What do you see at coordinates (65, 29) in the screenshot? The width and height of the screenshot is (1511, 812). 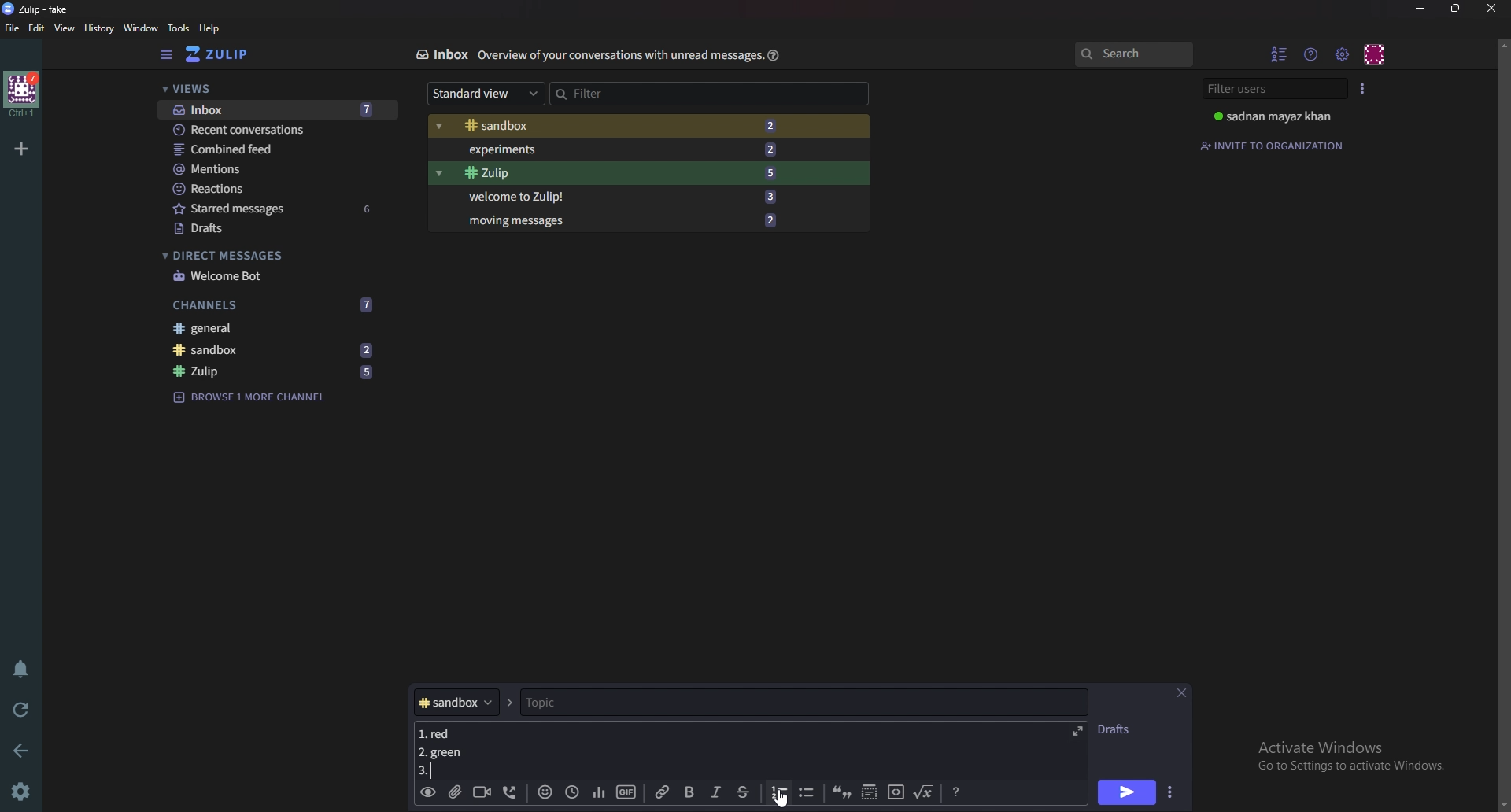 I see `View` at bounding box center [65, 29].